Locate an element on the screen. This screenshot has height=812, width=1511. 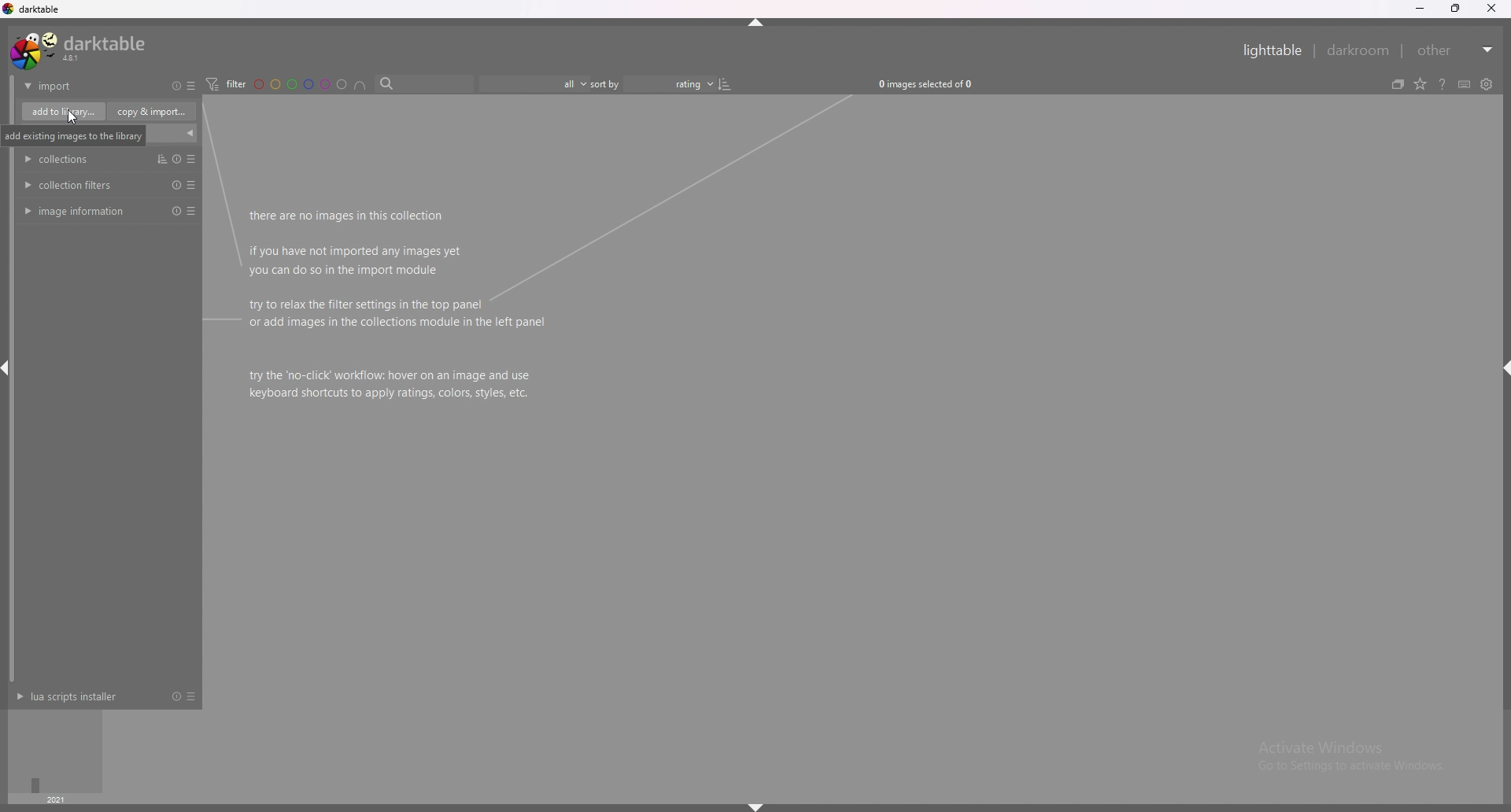
description is located at coordinates (103, 135).